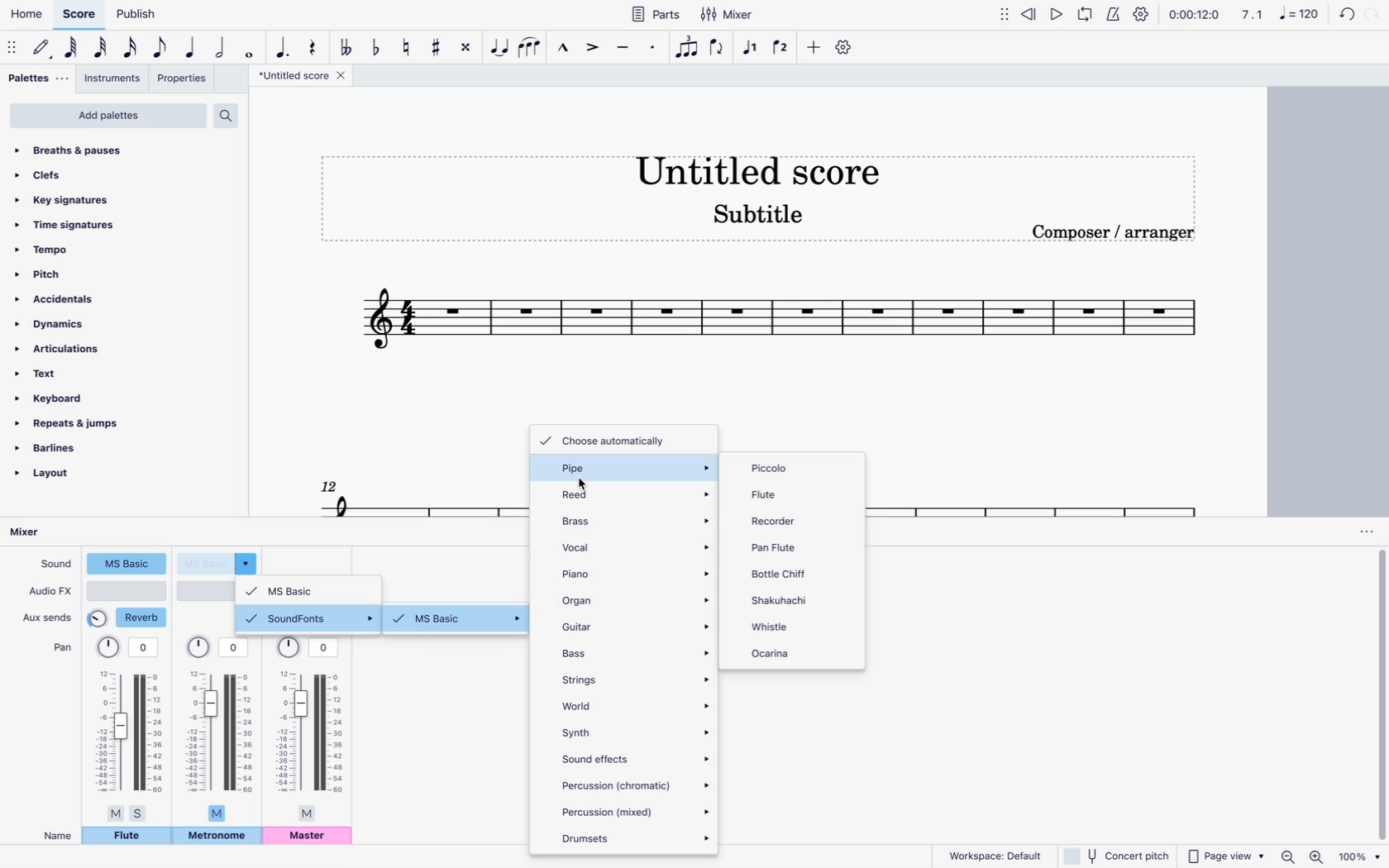  I want to click on audio type, so click(128, 591).